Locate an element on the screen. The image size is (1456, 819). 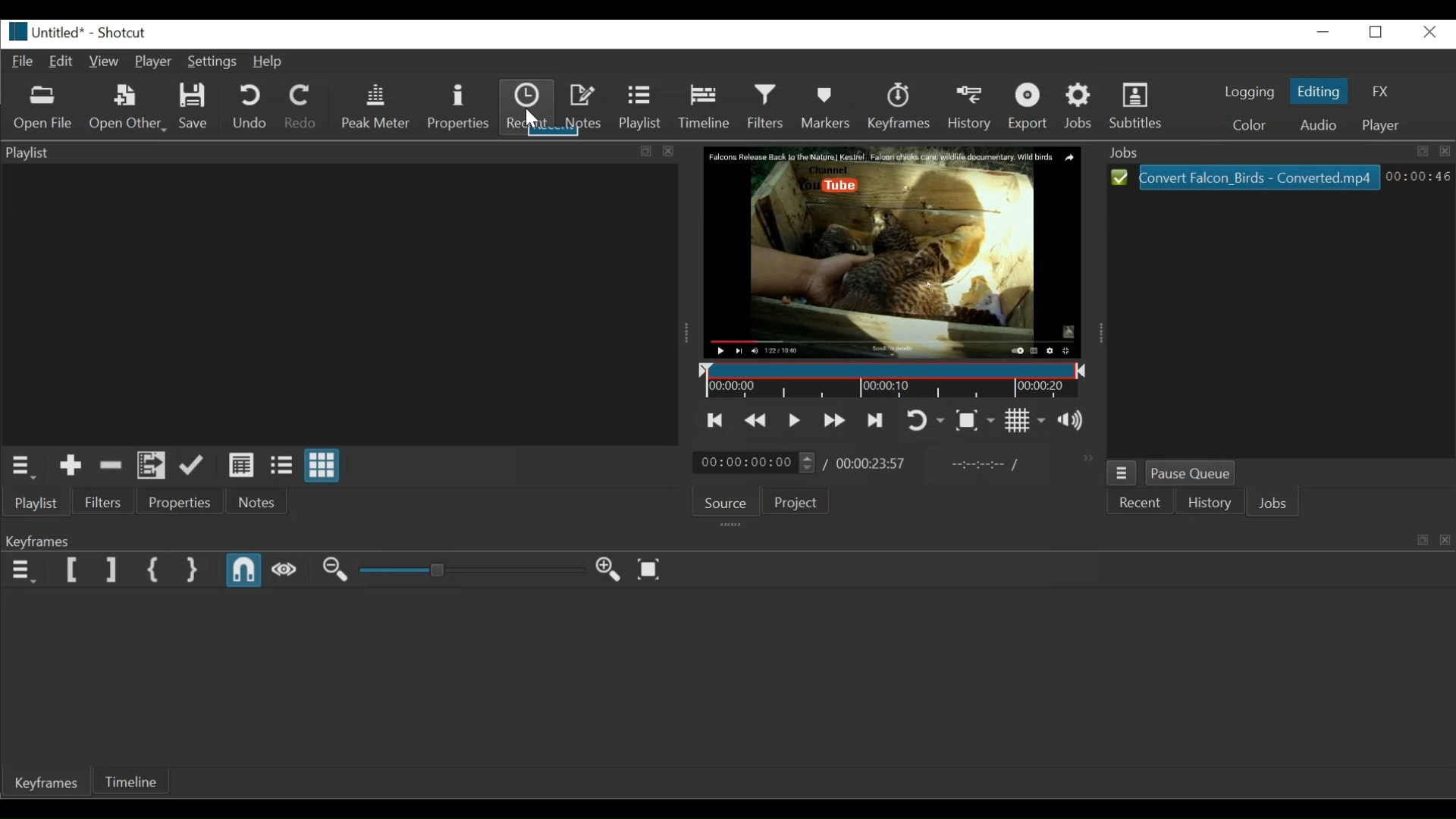
Open Other is located at coordinates (125, 107).